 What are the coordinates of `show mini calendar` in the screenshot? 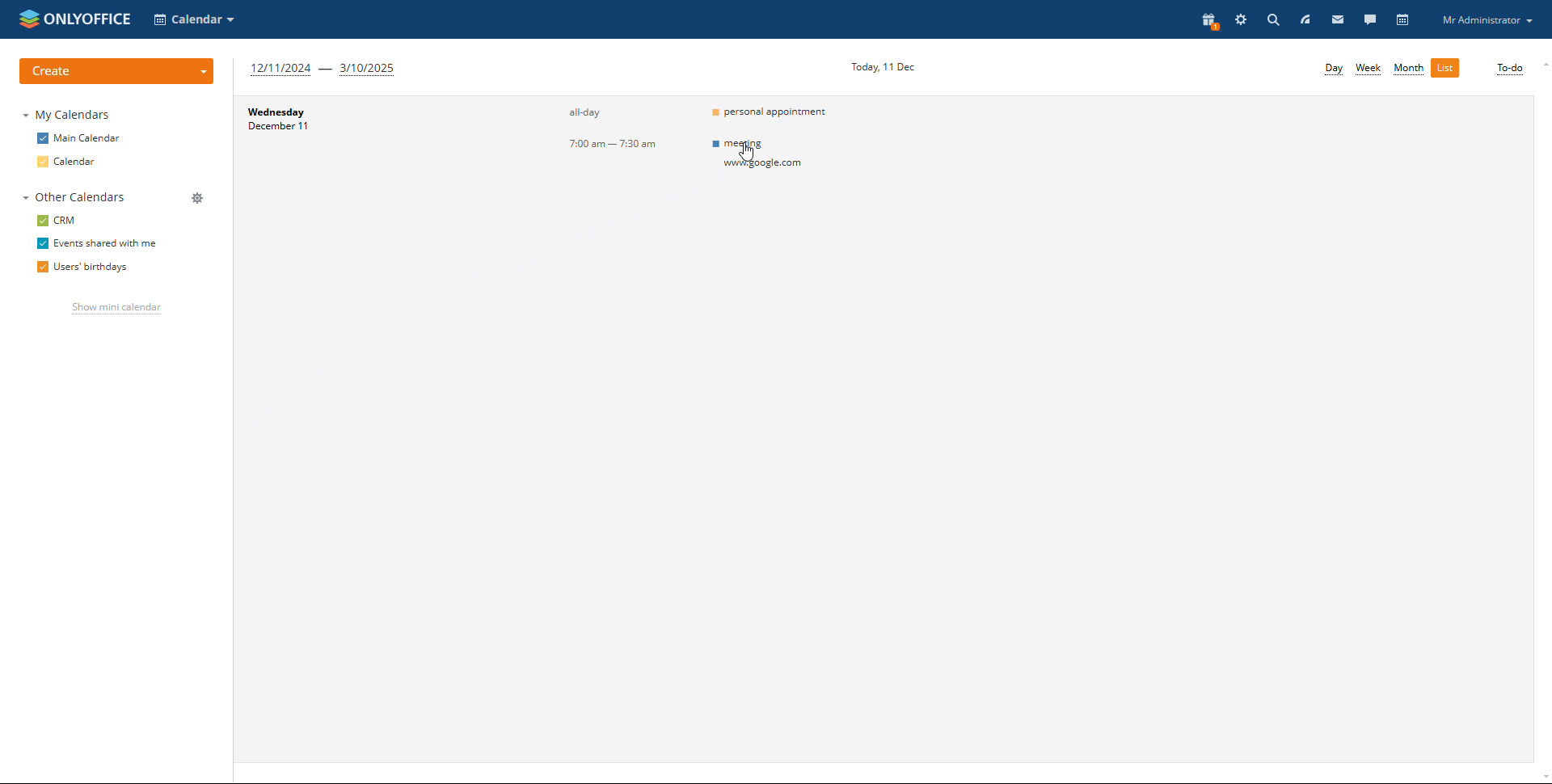 It's located at (118, 309).